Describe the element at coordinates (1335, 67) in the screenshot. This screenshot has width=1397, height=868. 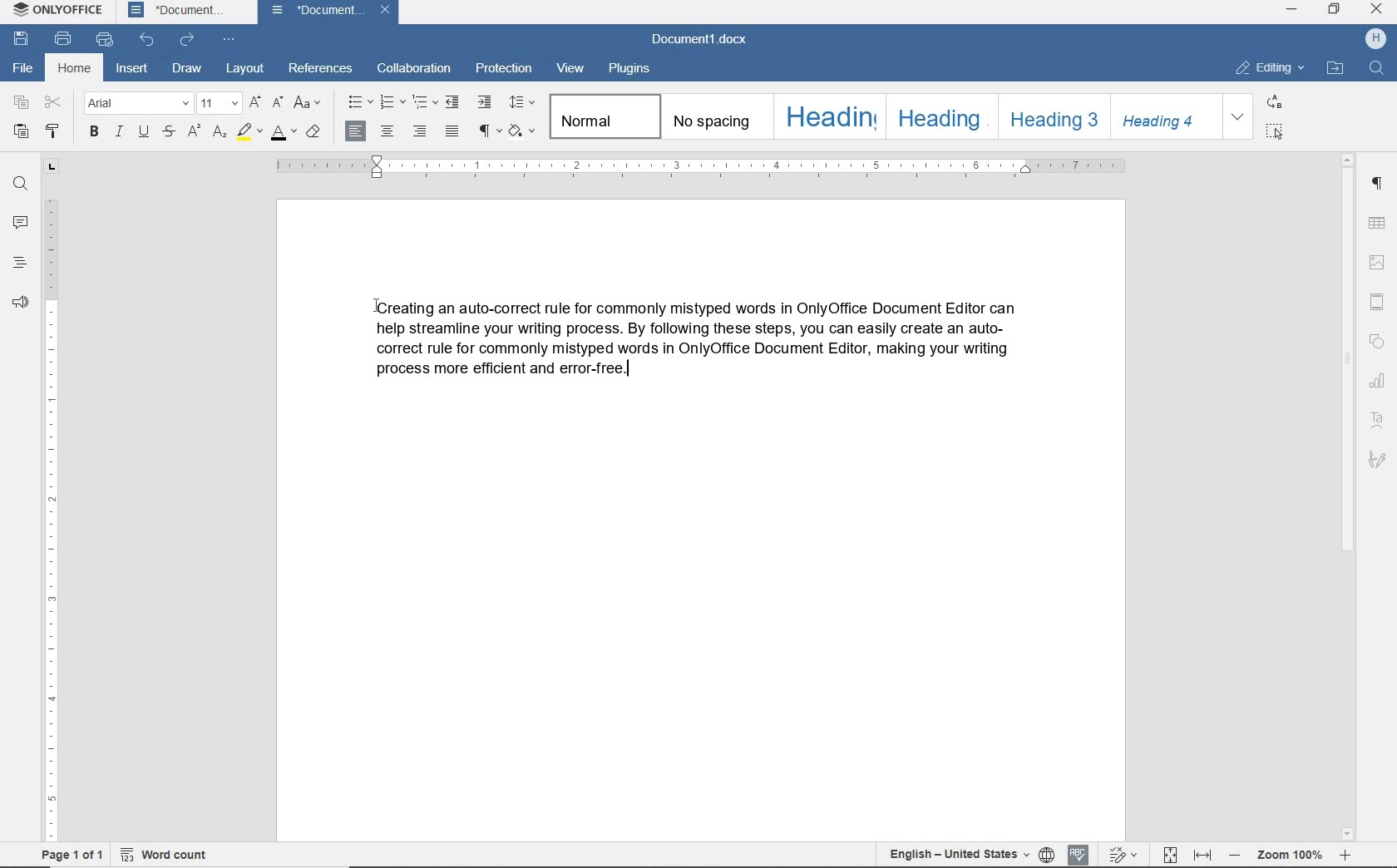
I see `open file location` at that location.